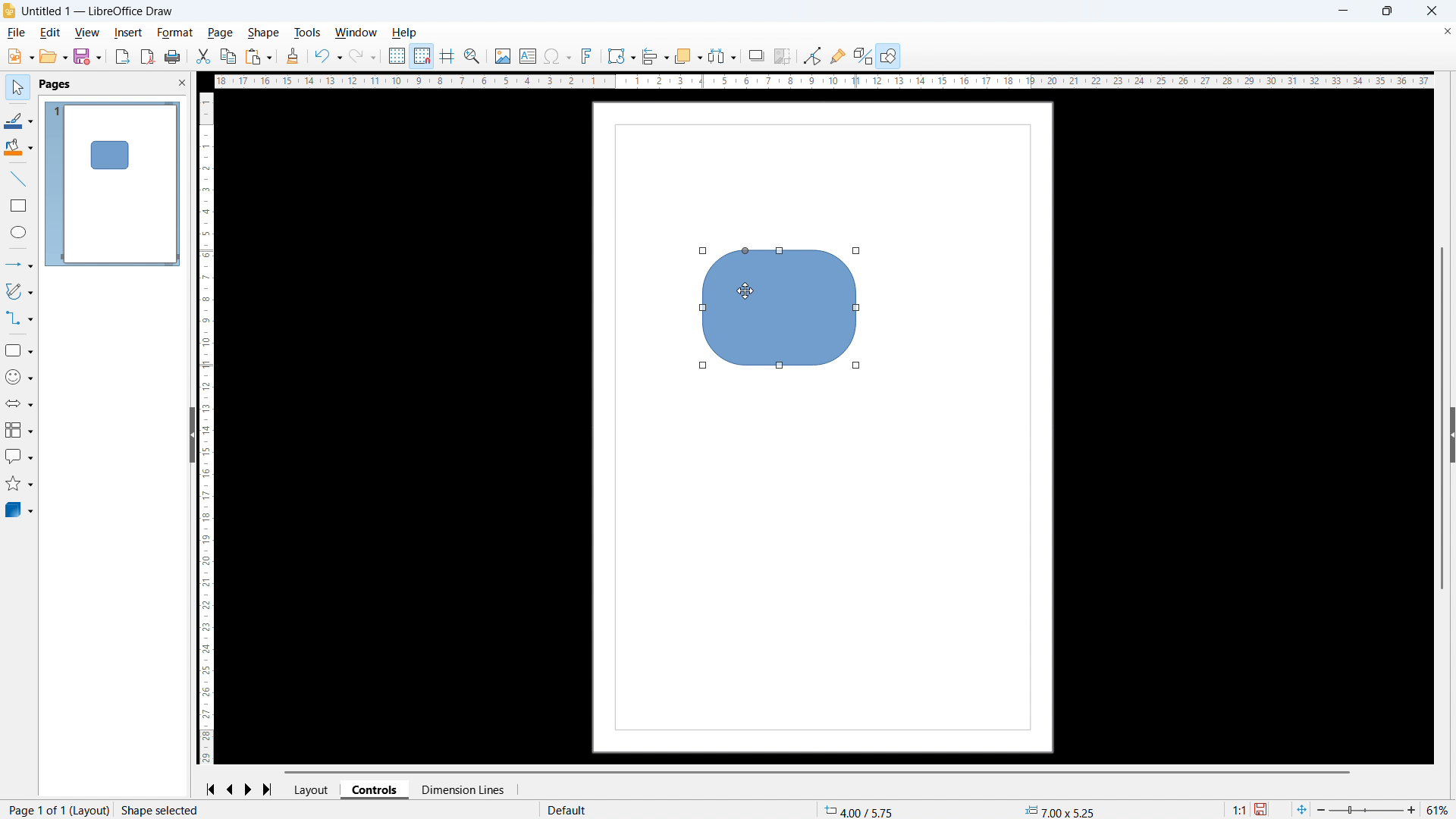 This screenshot has width=1456, height=819. Describe the element at coordinates (308, 32) in the screenshot. I see `Tools ` at that location.